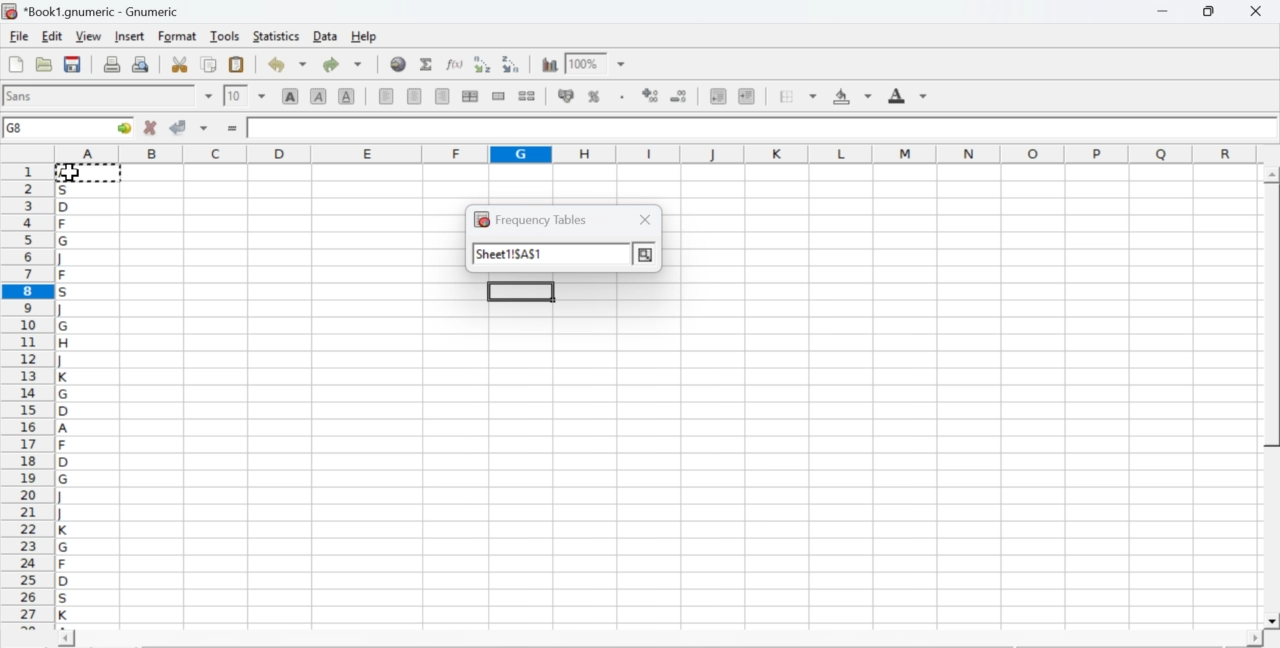 The height and width of the screenshot is (648, 1280). Describe the element at coordinates (646, 254) in the screenshot. I see `more` at that location.